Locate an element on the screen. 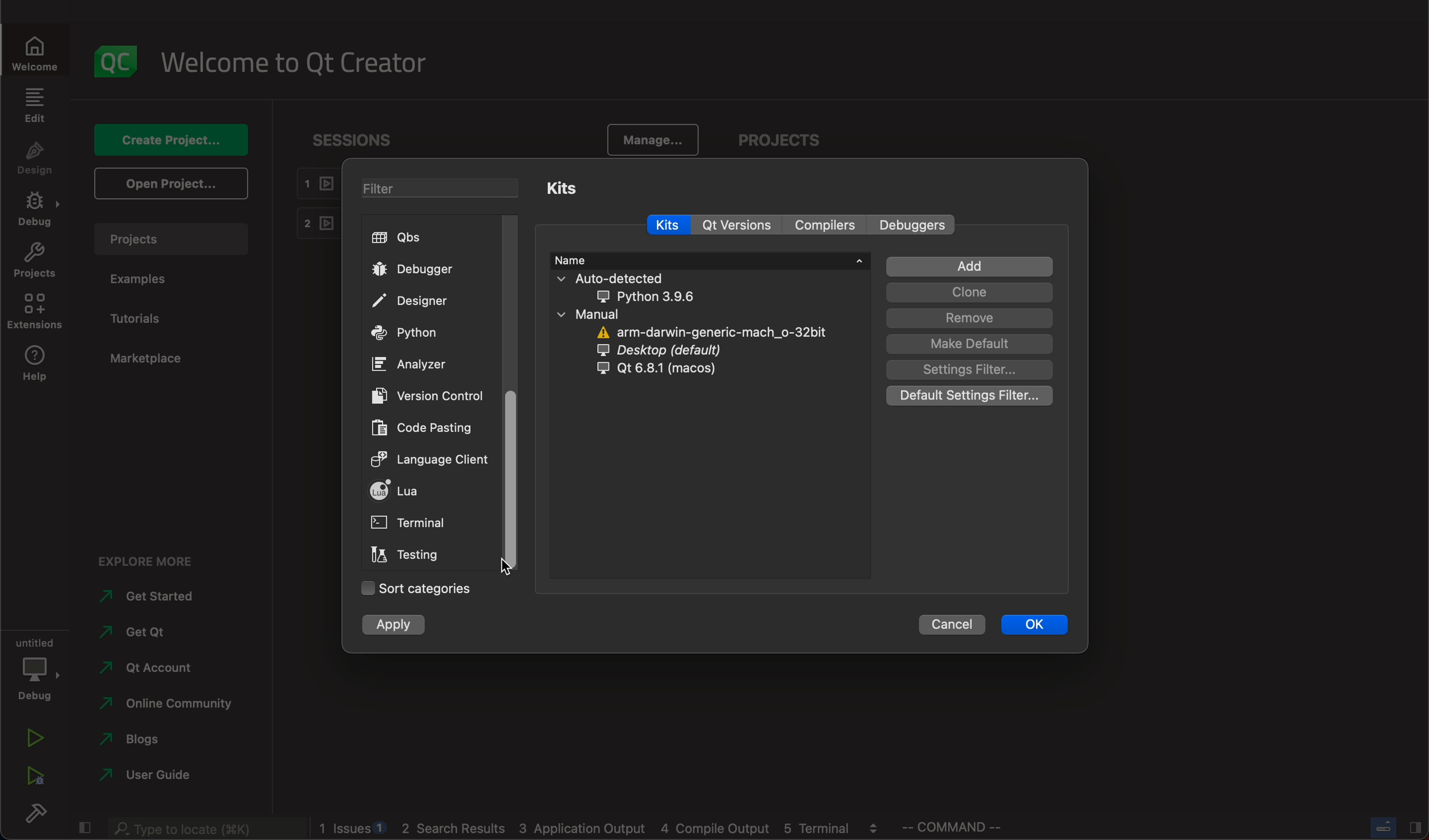 The image size is (1429, 840).  is located at coordinates (912, 224).